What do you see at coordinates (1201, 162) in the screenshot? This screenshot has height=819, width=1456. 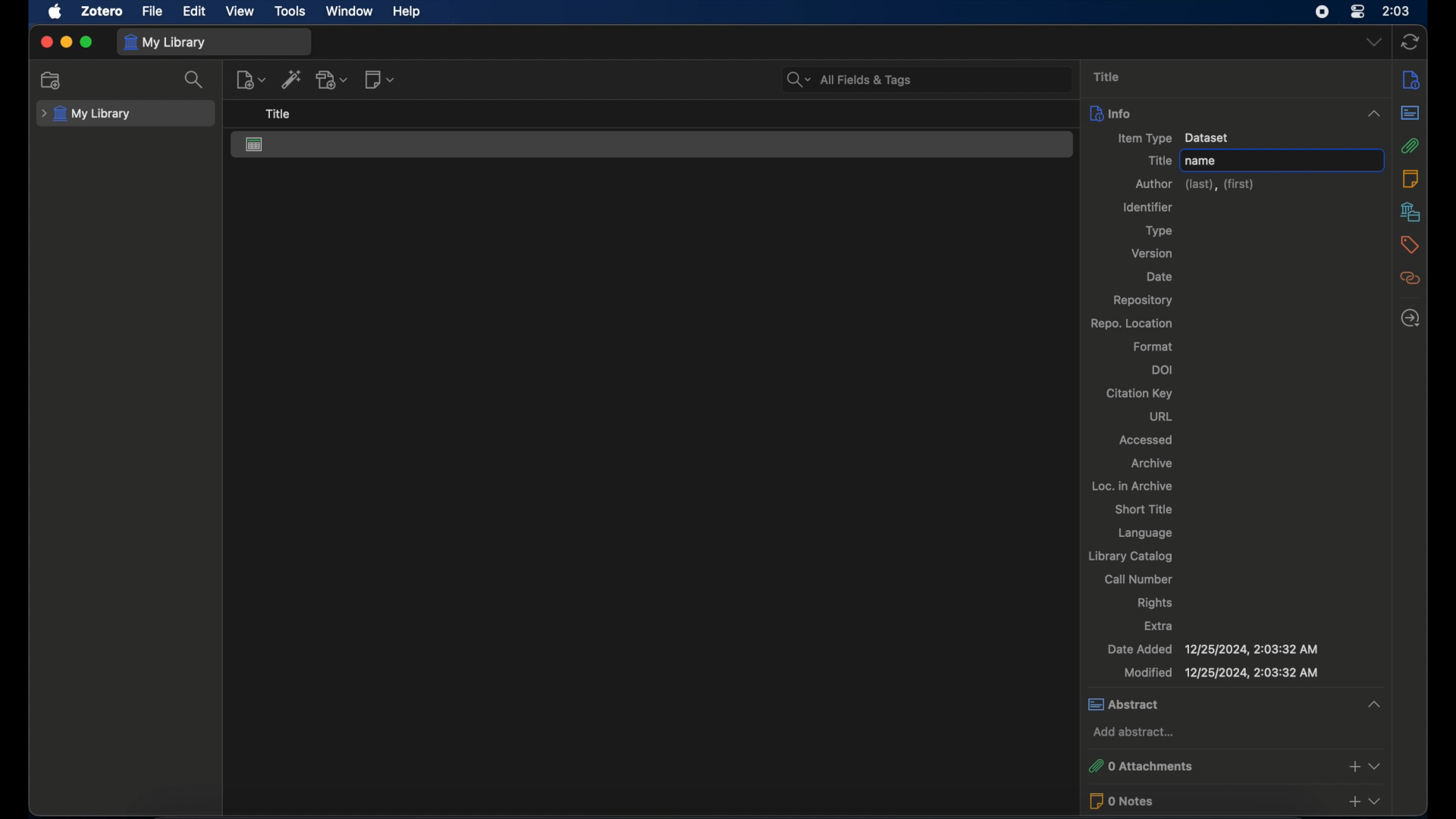 I see `name` at bounding box center [1201, 162].